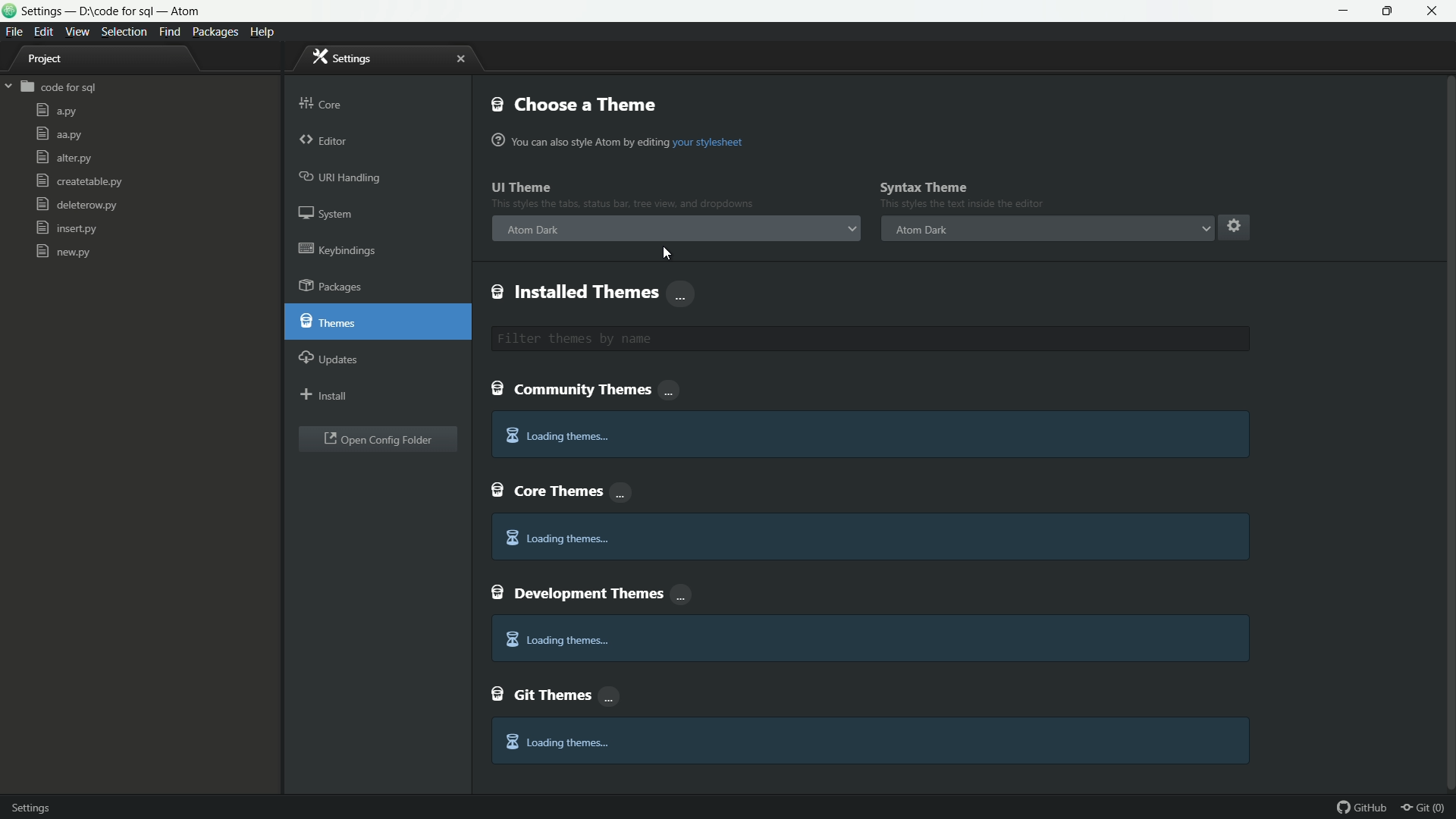  What do you see at coordinates (76, 32) in the screenshot?
I see `view menu` at bounding box center [76, 32].